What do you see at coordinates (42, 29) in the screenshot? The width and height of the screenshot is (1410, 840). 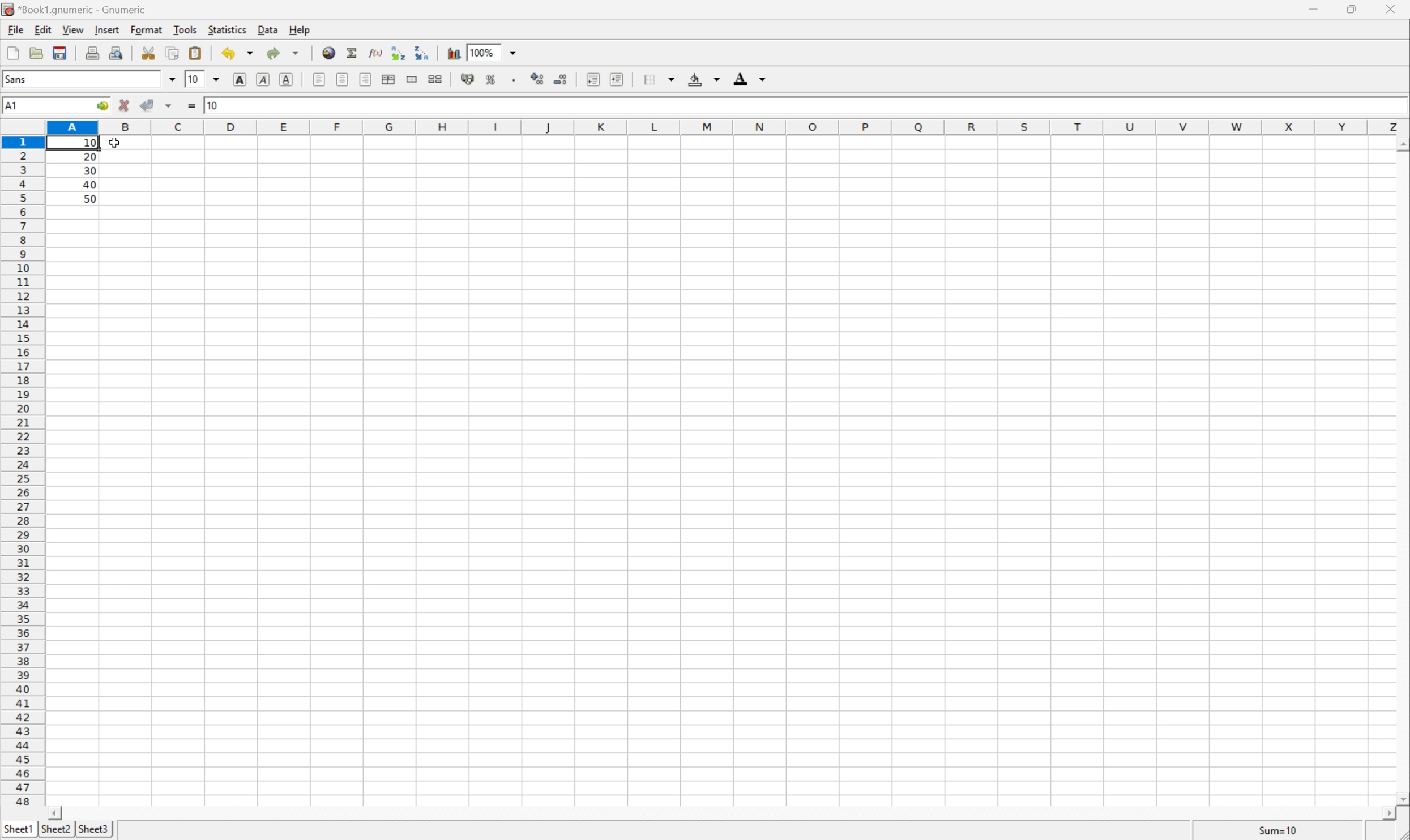 I see `Edit` at bounding box center [42, 29].